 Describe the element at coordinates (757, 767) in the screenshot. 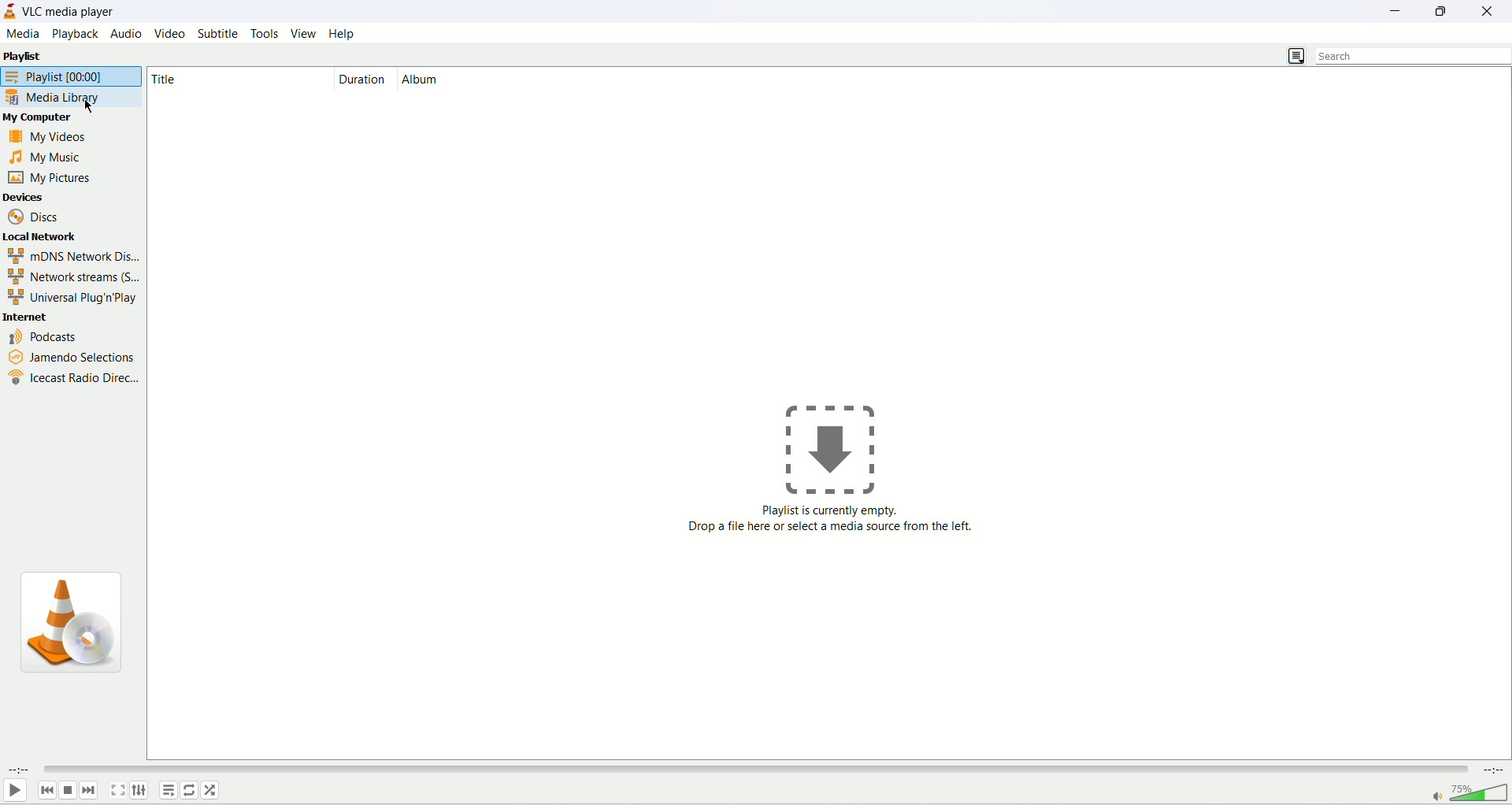

I see `progress bar` at that location.